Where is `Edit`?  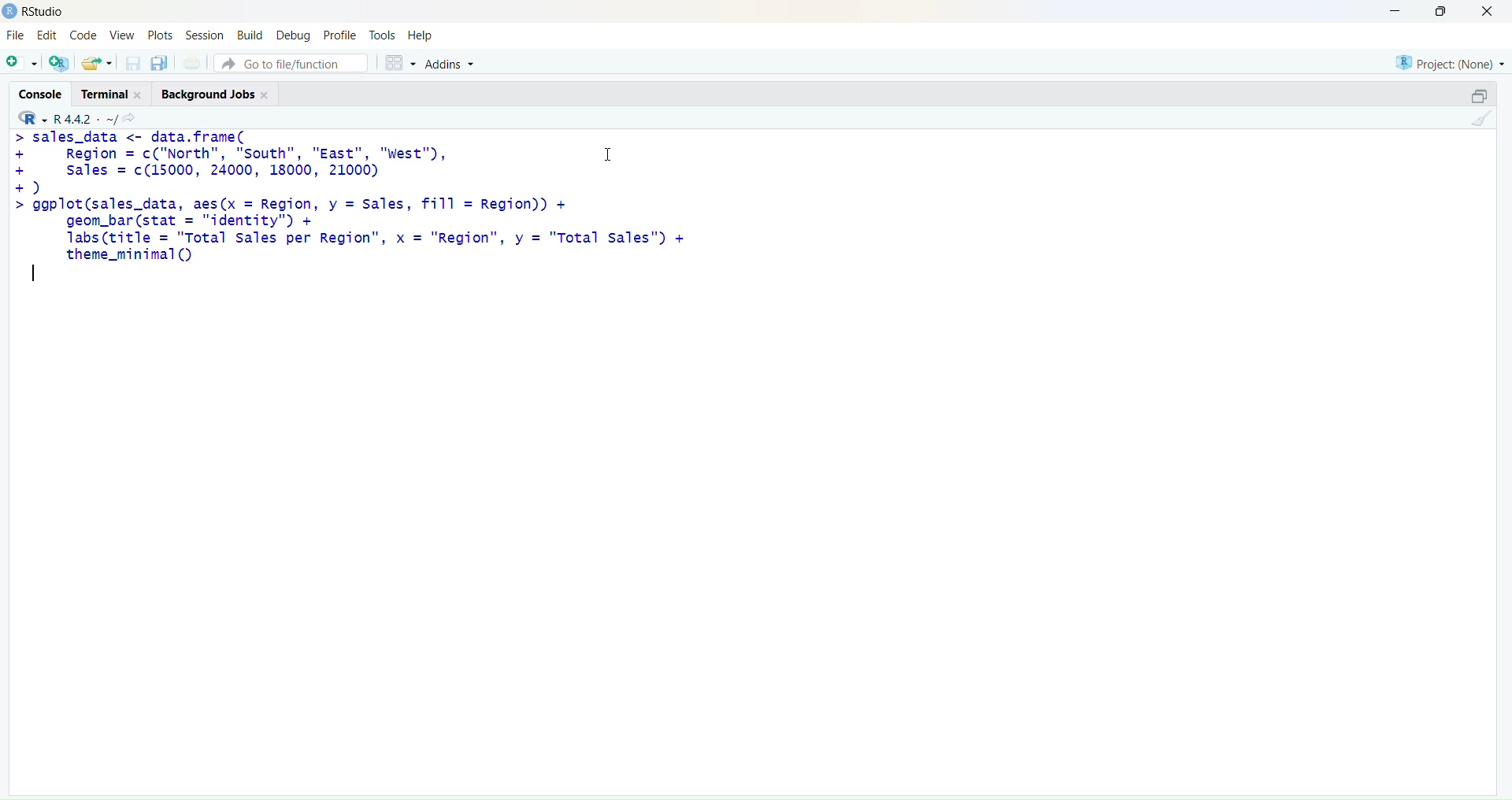 Edit is located at coordinates (46, 37).